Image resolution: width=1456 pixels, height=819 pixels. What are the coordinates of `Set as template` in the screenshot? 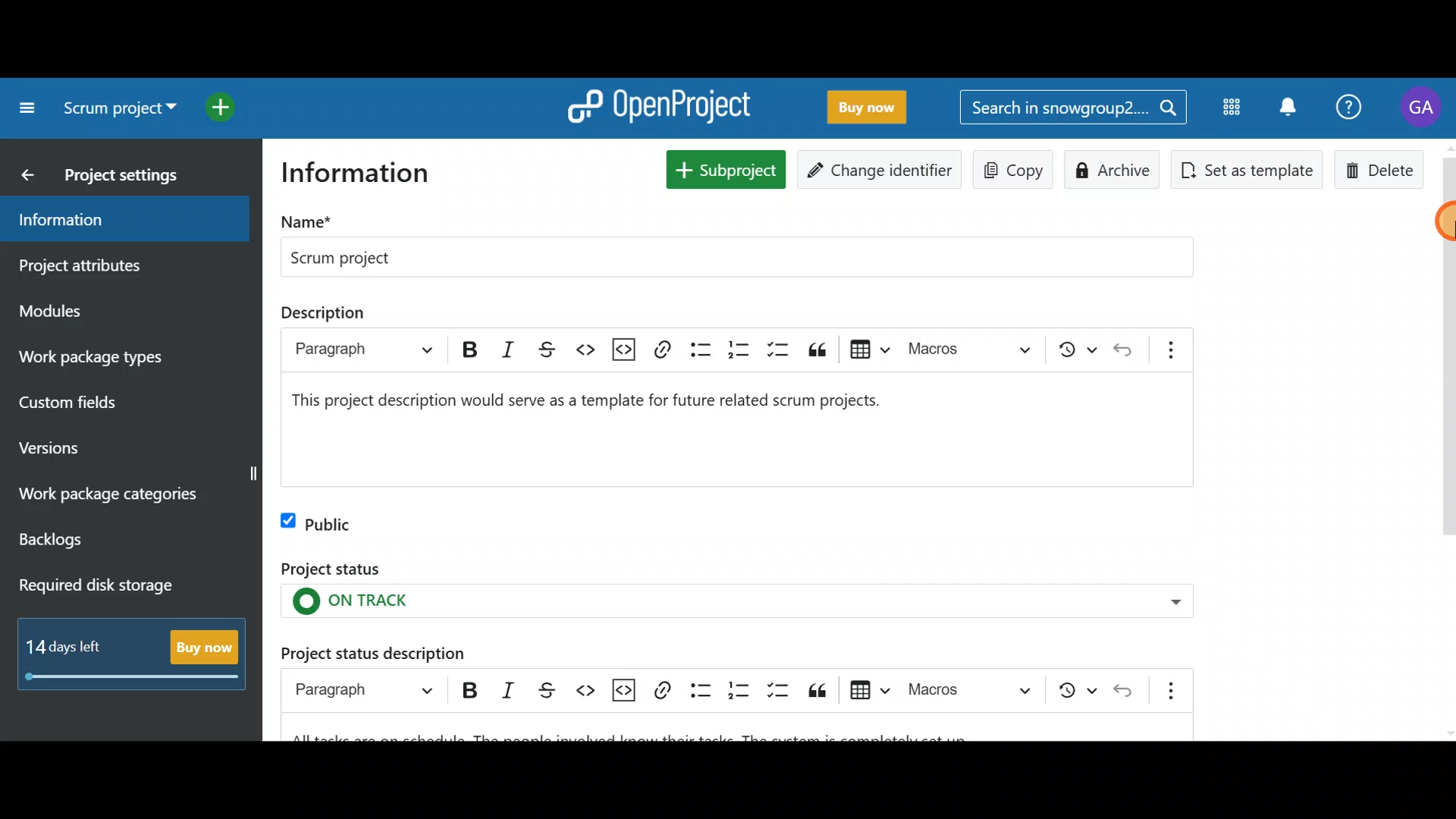 It's located at (1250, 172).